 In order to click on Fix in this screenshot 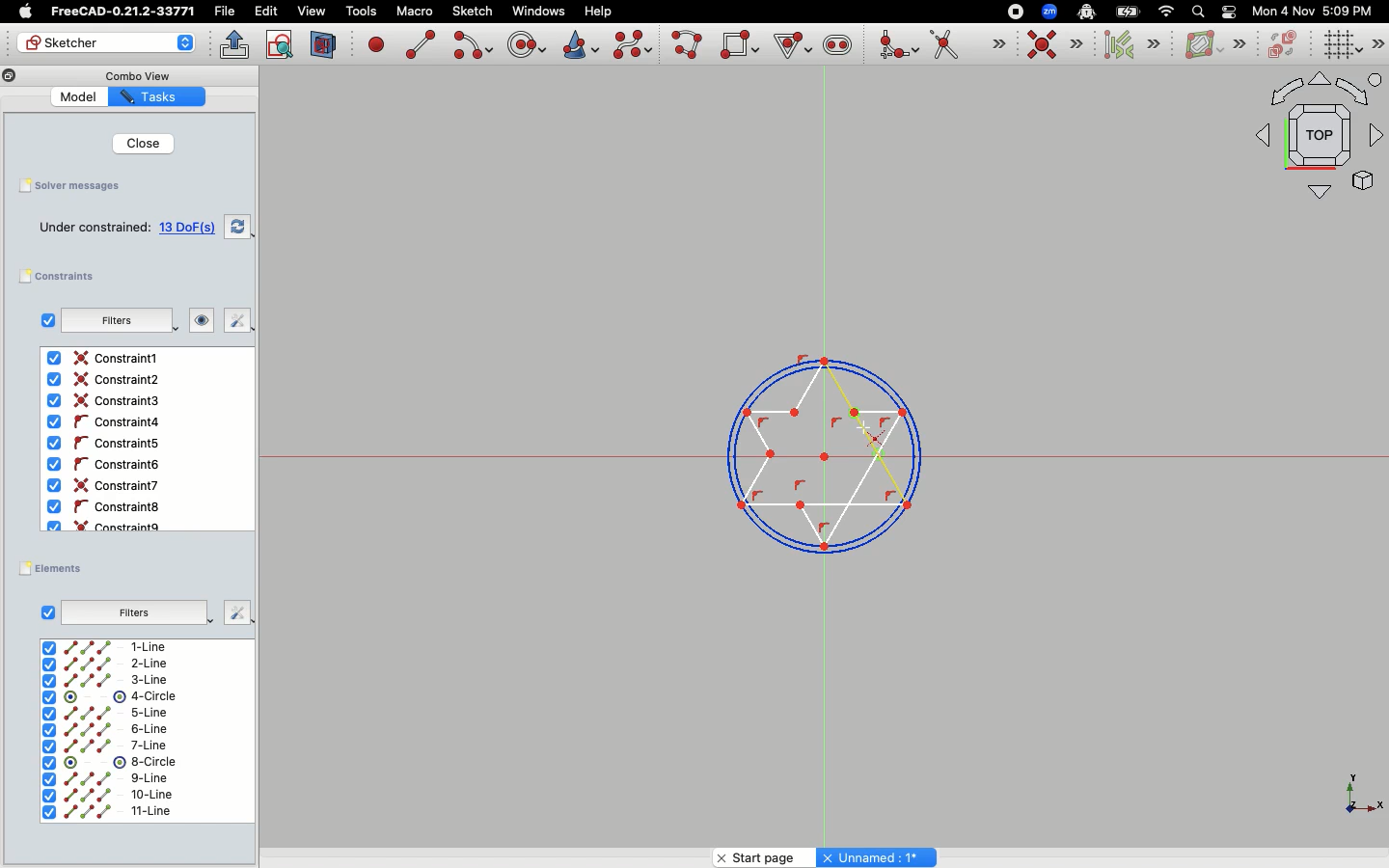, I will do `click(231, 321)`.